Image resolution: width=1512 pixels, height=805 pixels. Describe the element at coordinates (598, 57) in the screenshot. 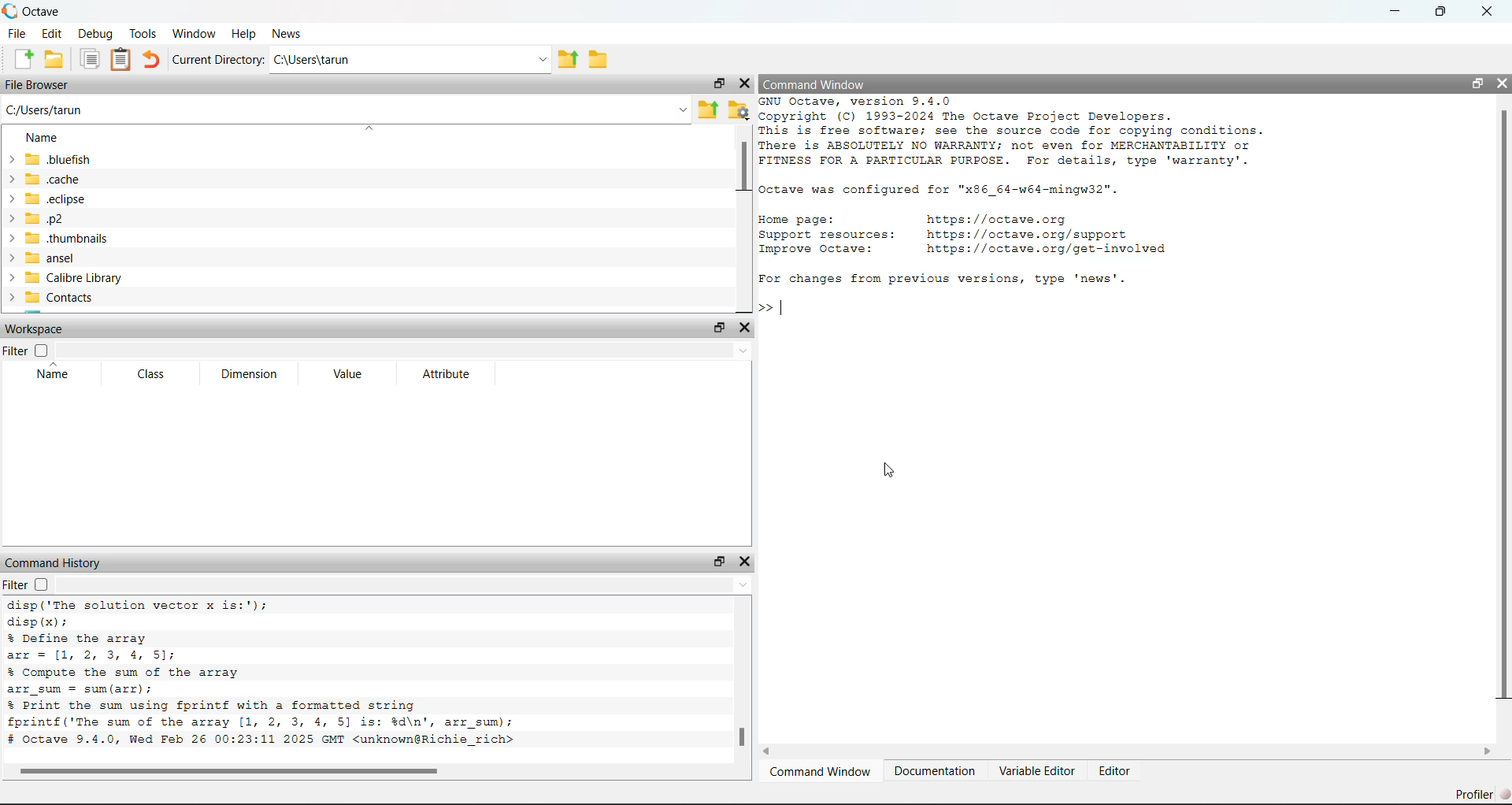

I see `Browse directories` at that location.